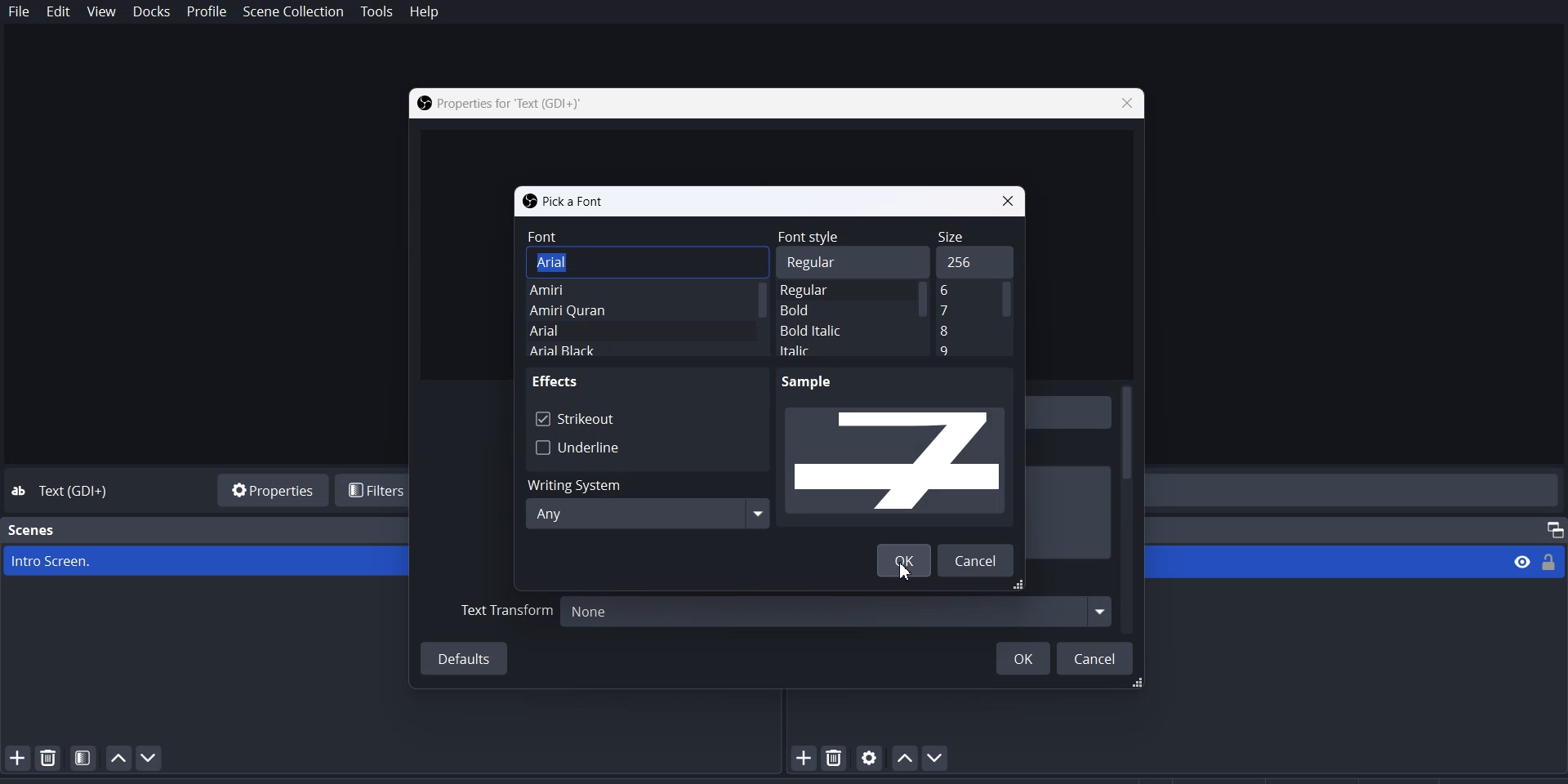 The width and height of the screenshot is (1568, 784). What do you see at coordinates (507, 612) in the screenshot?
I see `Text Transform` at bounding box center [507, 612].